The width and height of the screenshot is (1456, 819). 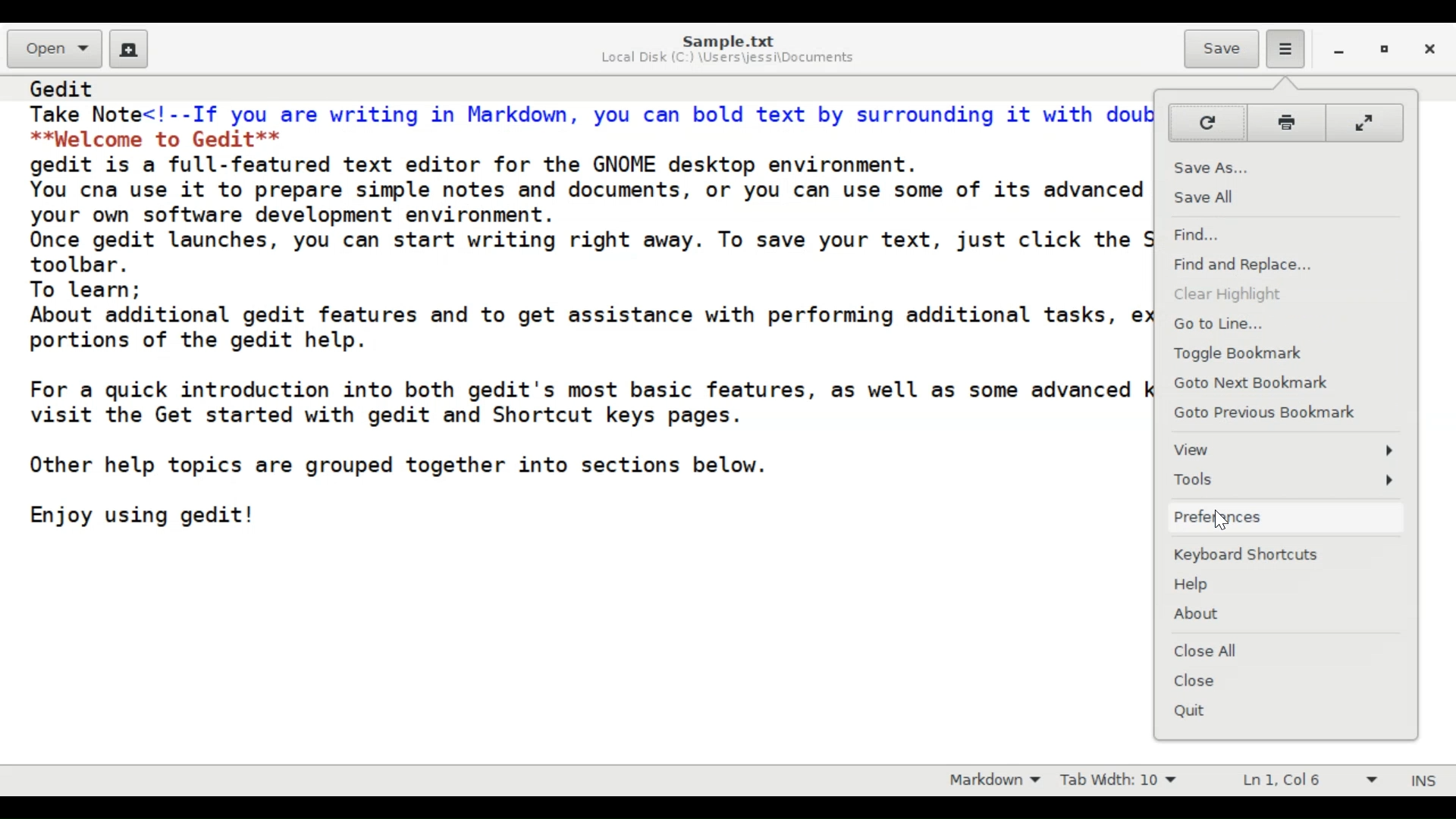 I want to click on Help, so click(x=1284, y=585).